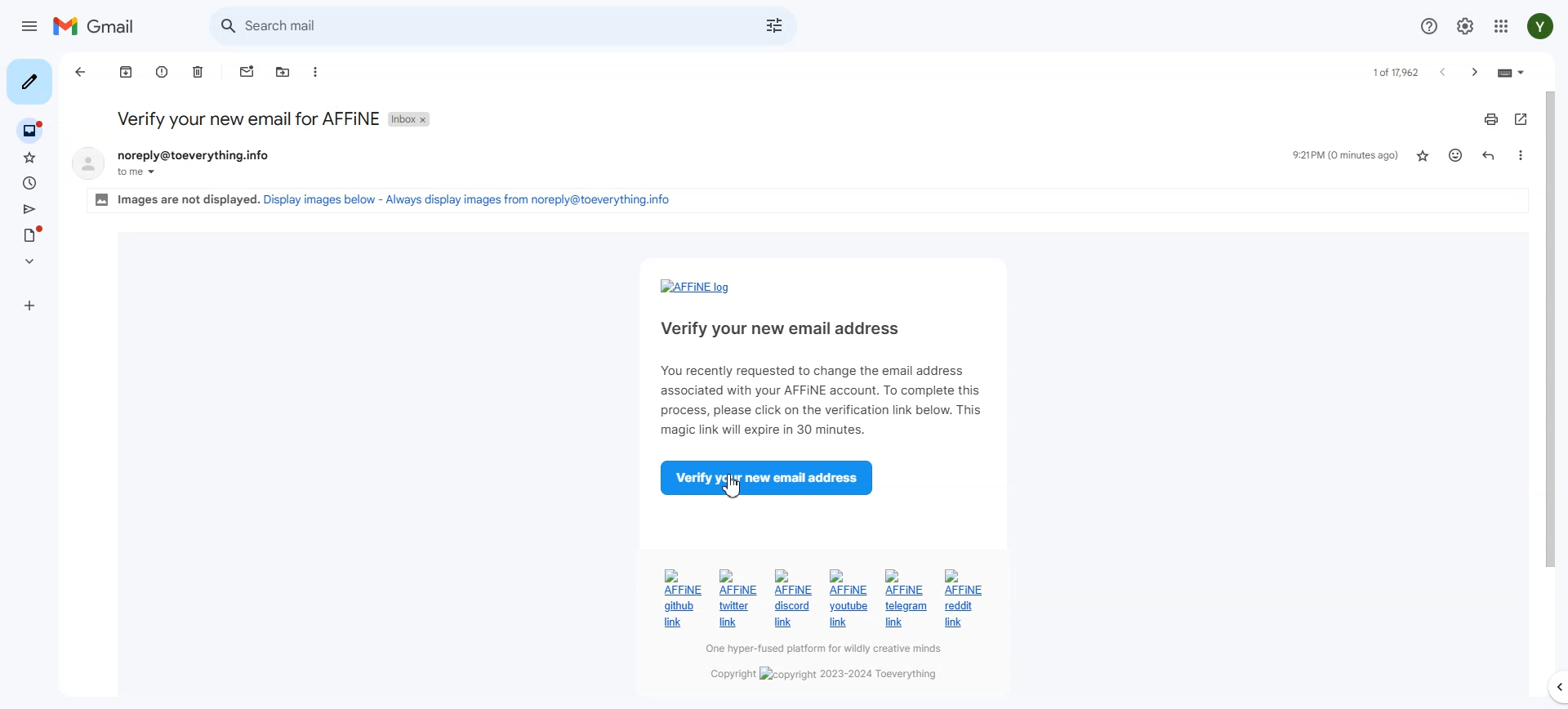 Image resolution: width=1568 pixels, height=709 pixels. I want to click on 1 of 1003, so click(1405, 73).